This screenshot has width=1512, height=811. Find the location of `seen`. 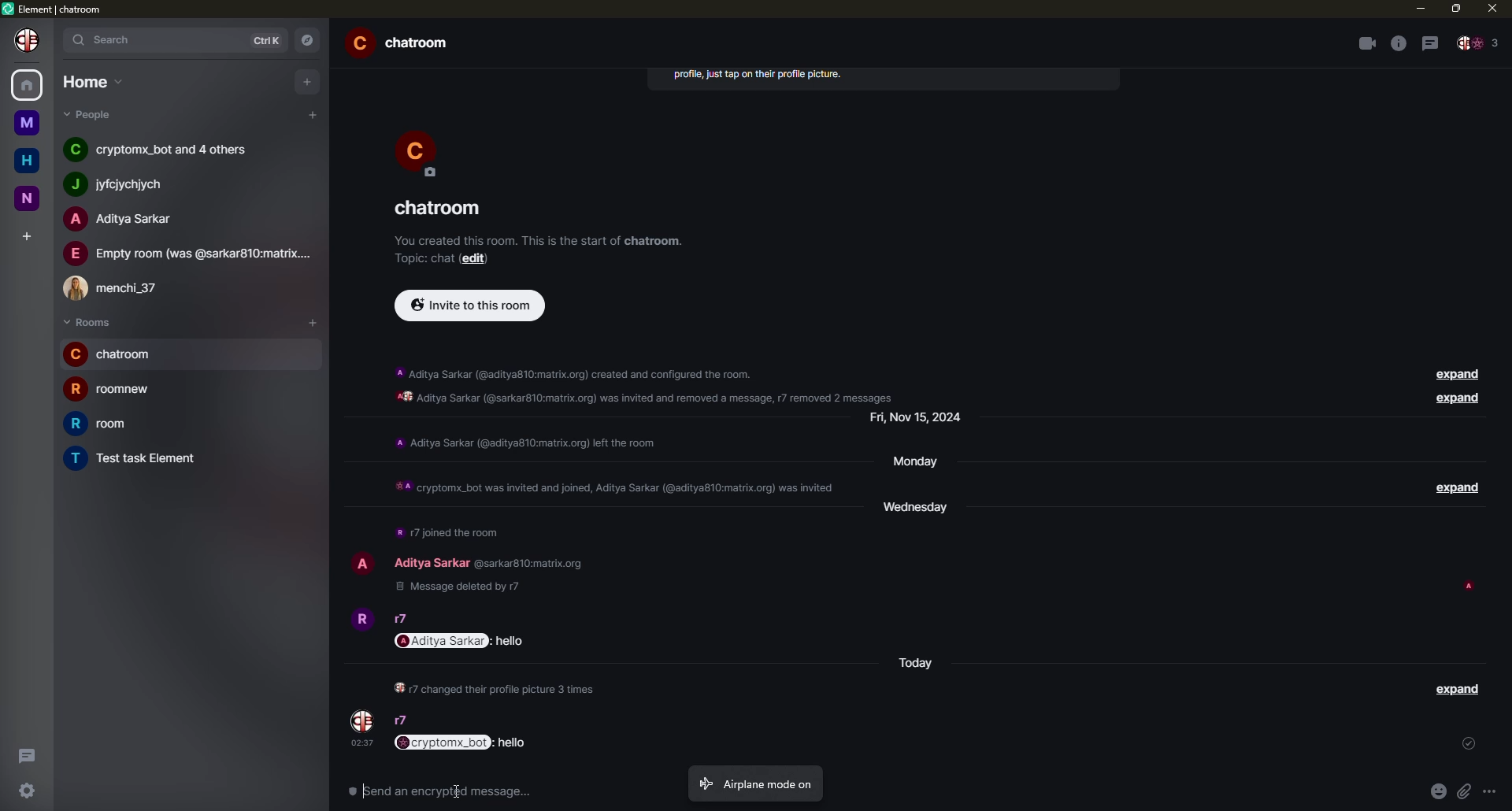

seen is located at coordinates (1468, 585).